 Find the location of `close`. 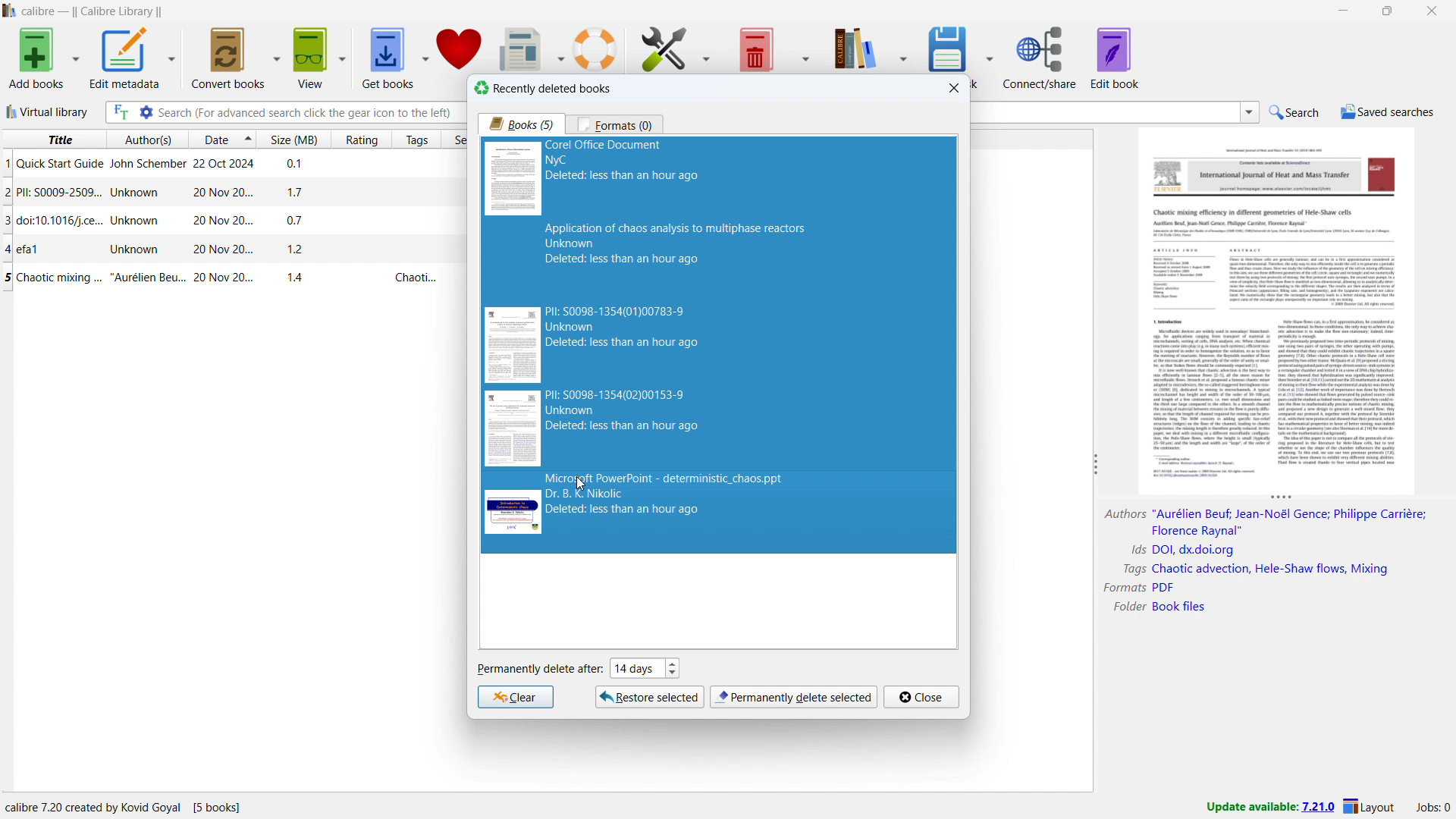

close is located at coordinates (921, 697).